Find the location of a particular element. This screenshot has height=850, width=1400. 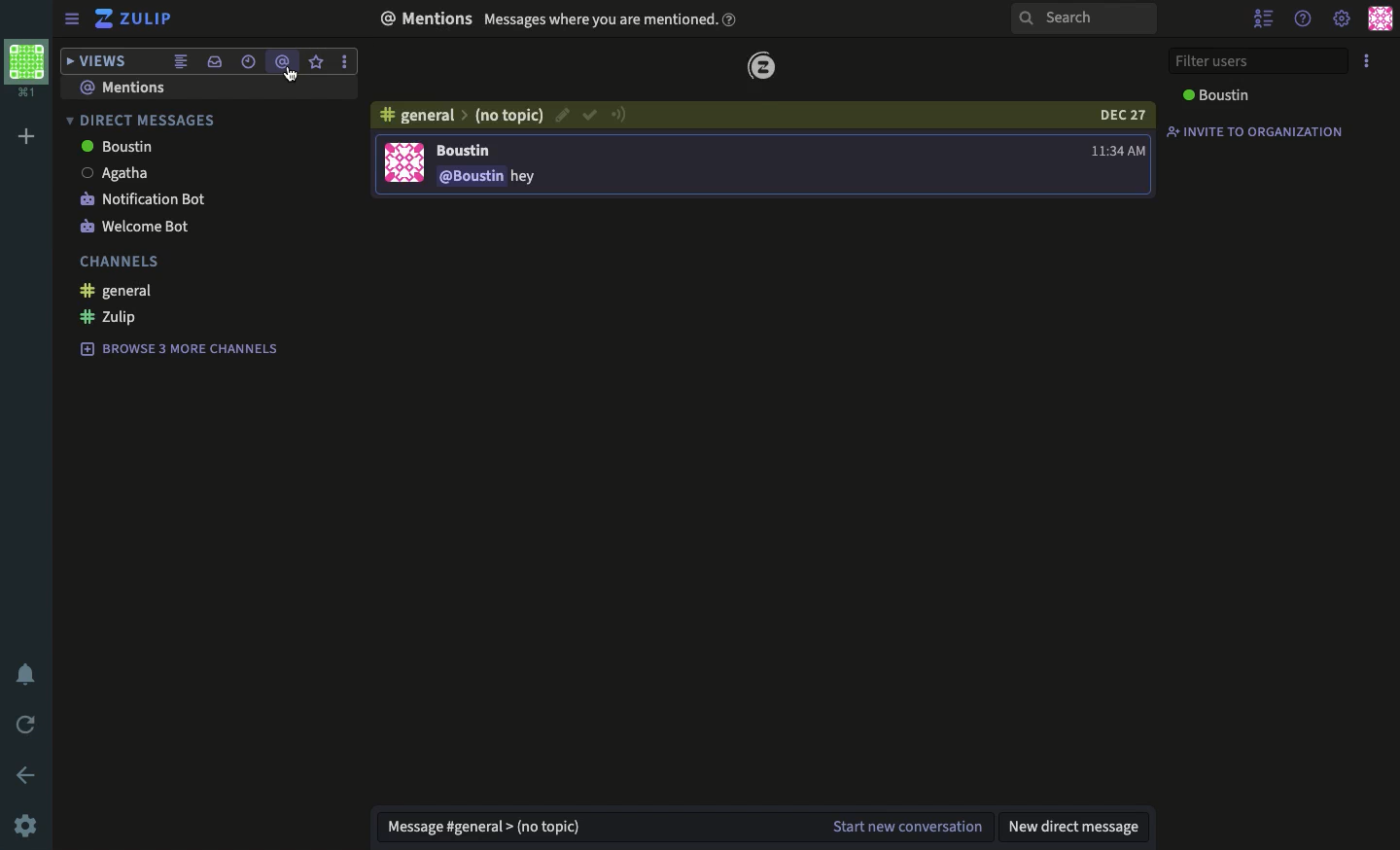

user profiles is located at coordinates (1381, 19).